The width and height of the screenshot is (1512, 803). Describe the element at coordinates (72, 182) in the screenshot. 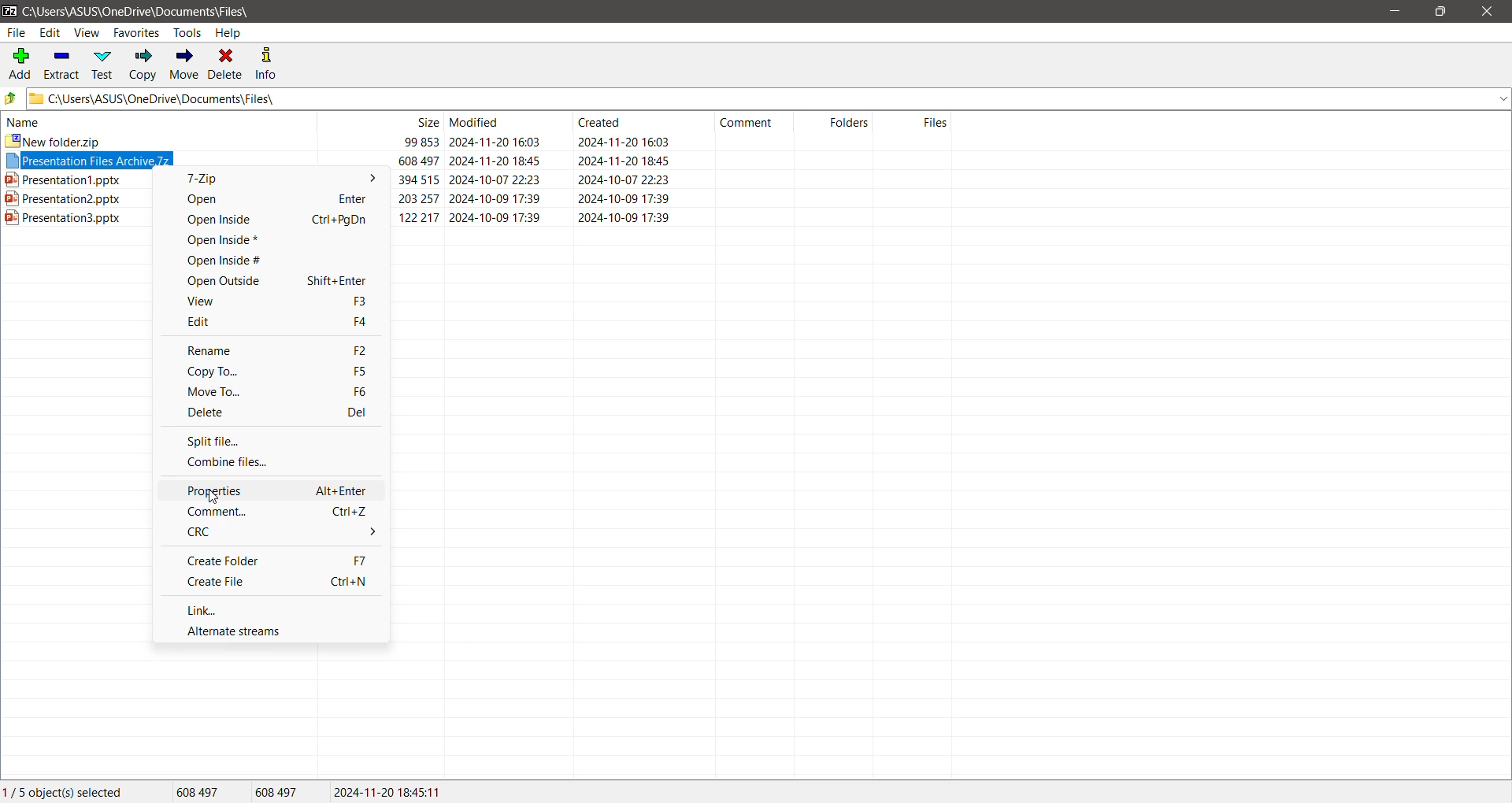

I see `presentation ` at that location.